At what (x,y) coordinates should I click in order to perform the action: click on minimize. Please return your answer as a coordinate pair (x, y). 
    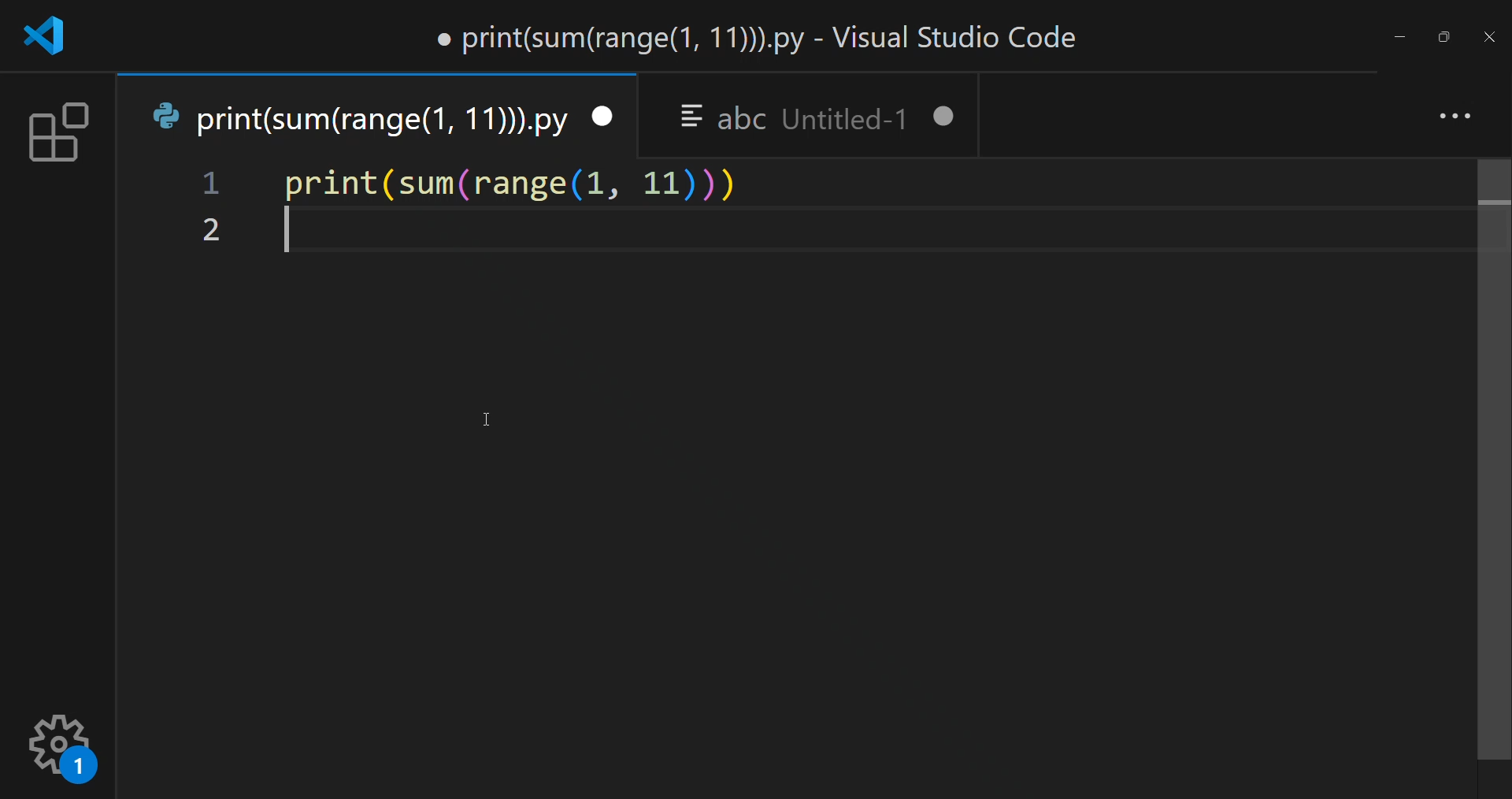
    Looking at the image, I should click on (1399, 38).